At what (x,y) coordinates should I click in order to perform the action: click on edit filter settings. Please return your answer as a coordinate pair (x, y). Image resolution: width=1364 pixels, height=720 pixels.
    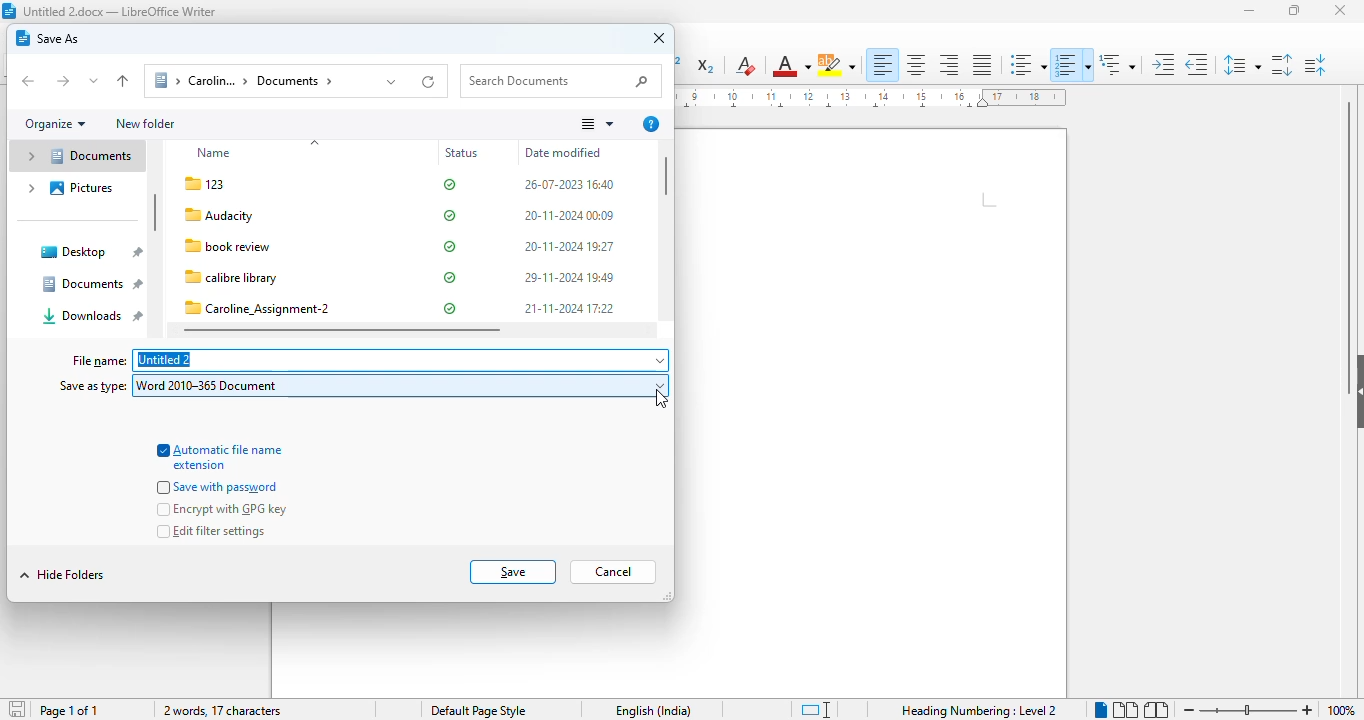
    Looking at the image, I should click on (211, 531).